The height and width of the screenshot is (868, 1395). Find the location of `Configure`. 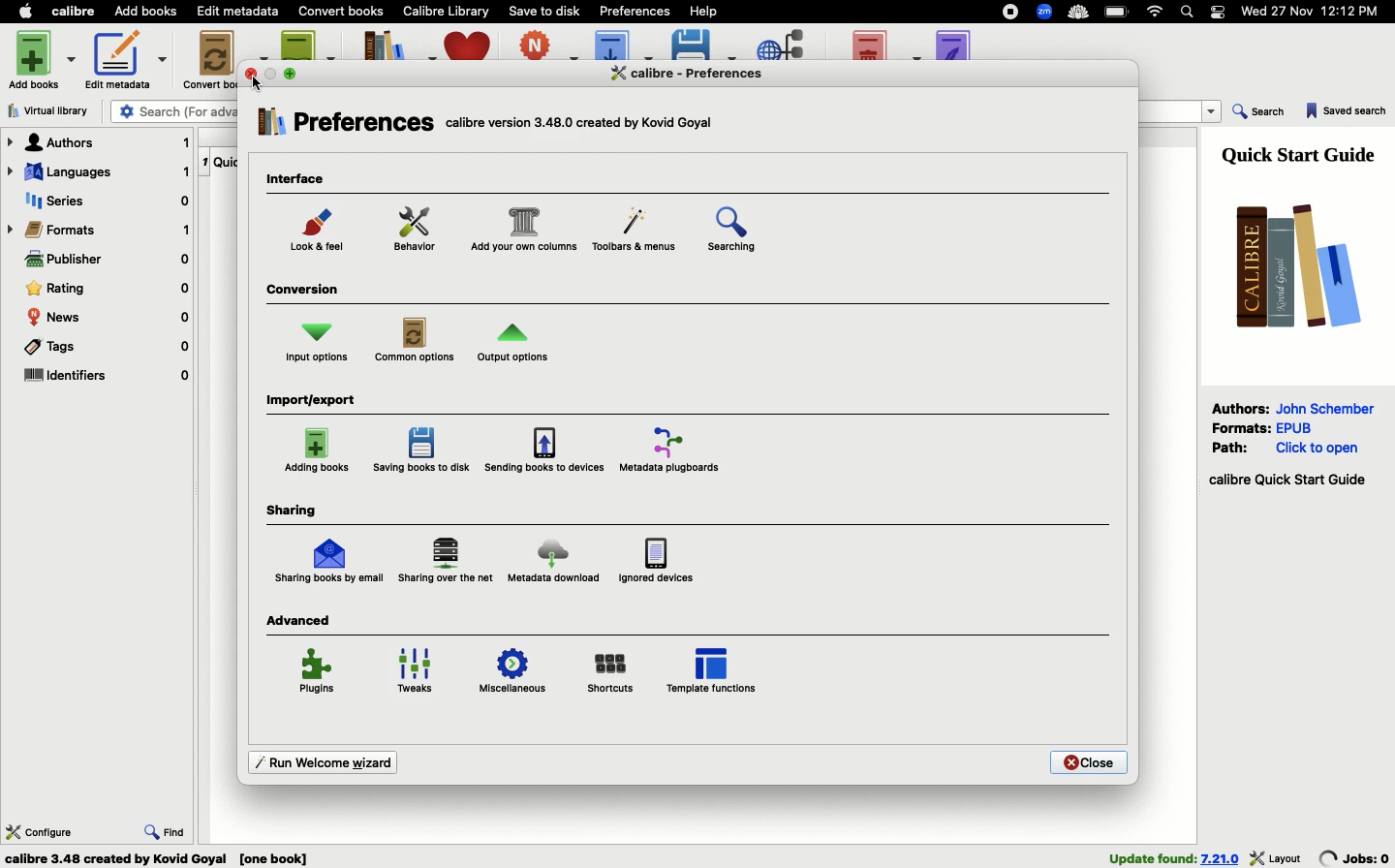

Configure is located at coordinates (40, 830).